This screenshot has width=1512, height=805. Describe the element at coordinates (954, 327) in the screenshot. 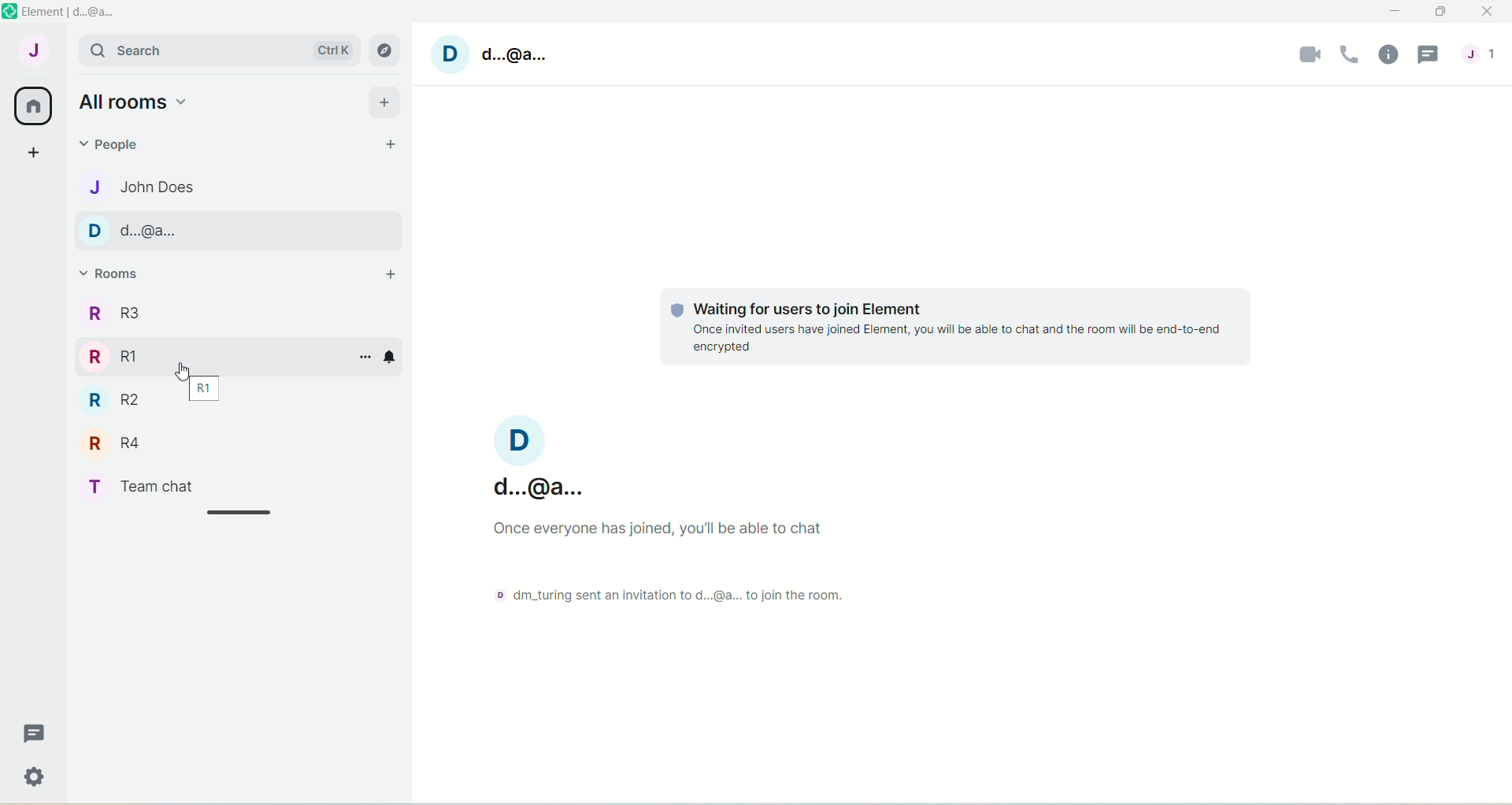

I see `© Waiting for users to join Element
Once invited users have joined Element, you will be able to chat and the room will be end-to-end
encrypted` at that location.